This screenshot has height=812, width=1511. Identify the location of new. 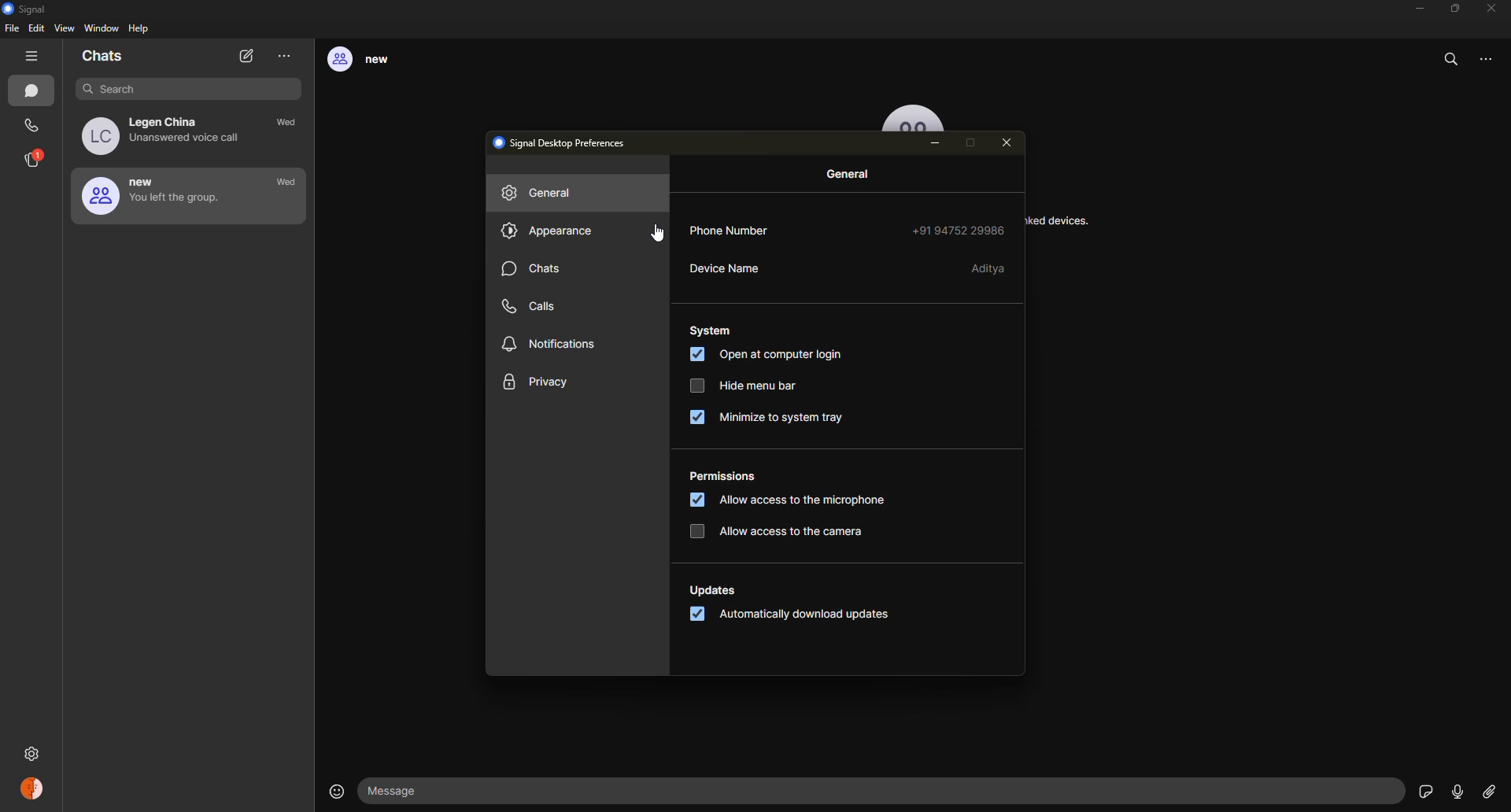
(371, 61).